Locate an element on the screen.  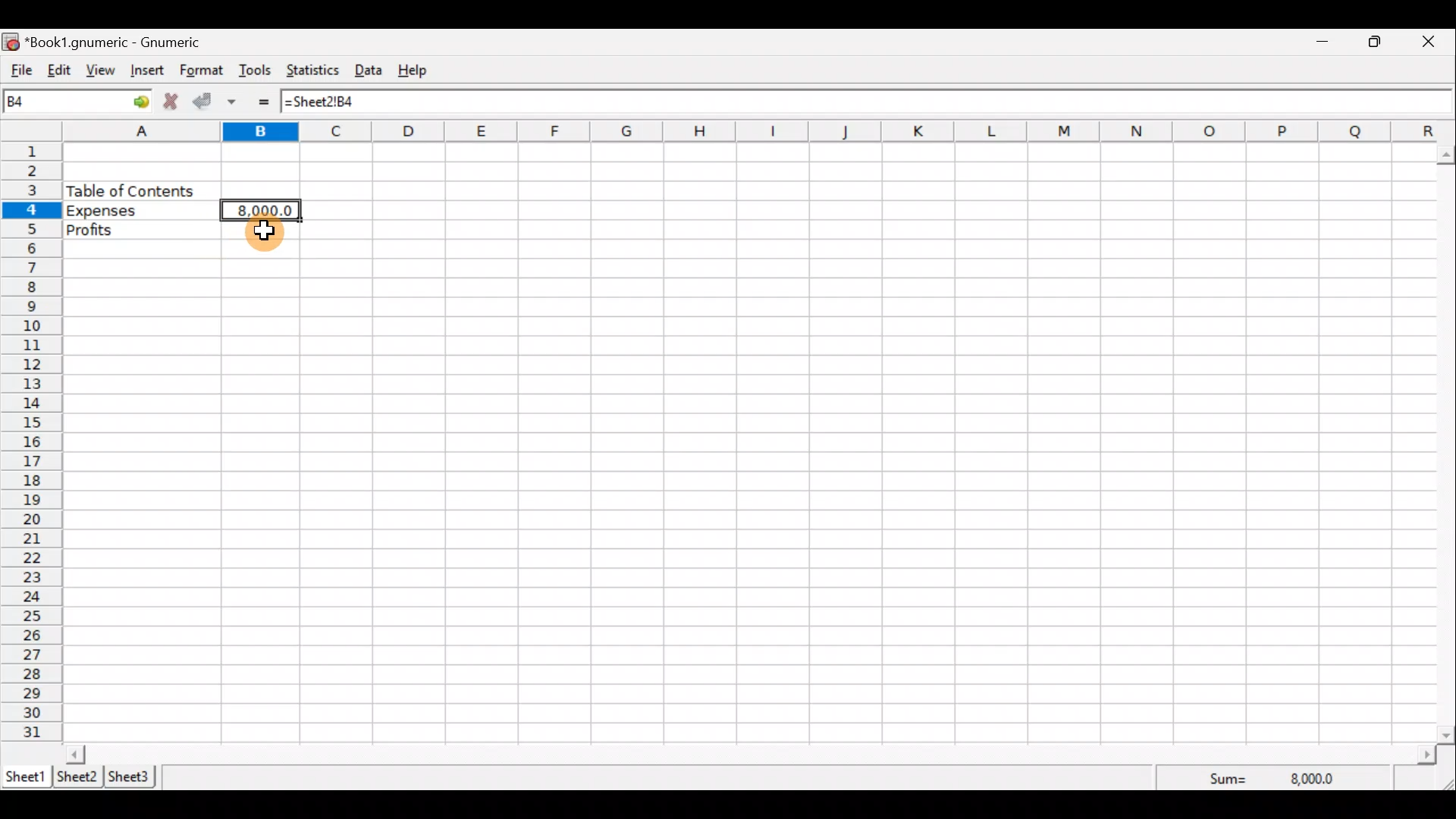
scroll right is located at coordinates (1426, 755).